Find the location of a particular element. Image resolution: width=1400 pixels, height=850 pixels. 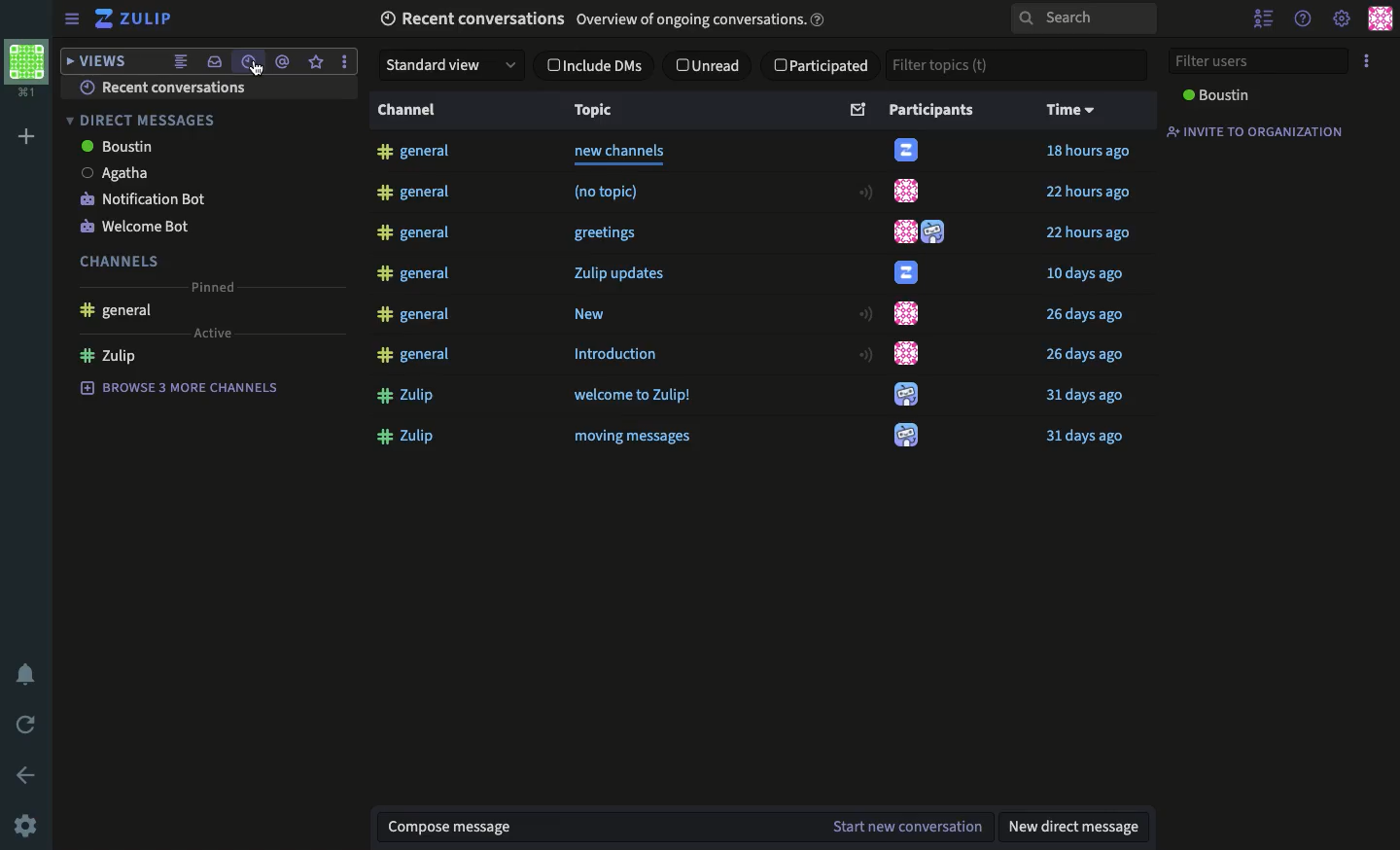

user profile is located at coordinates (908, 192).